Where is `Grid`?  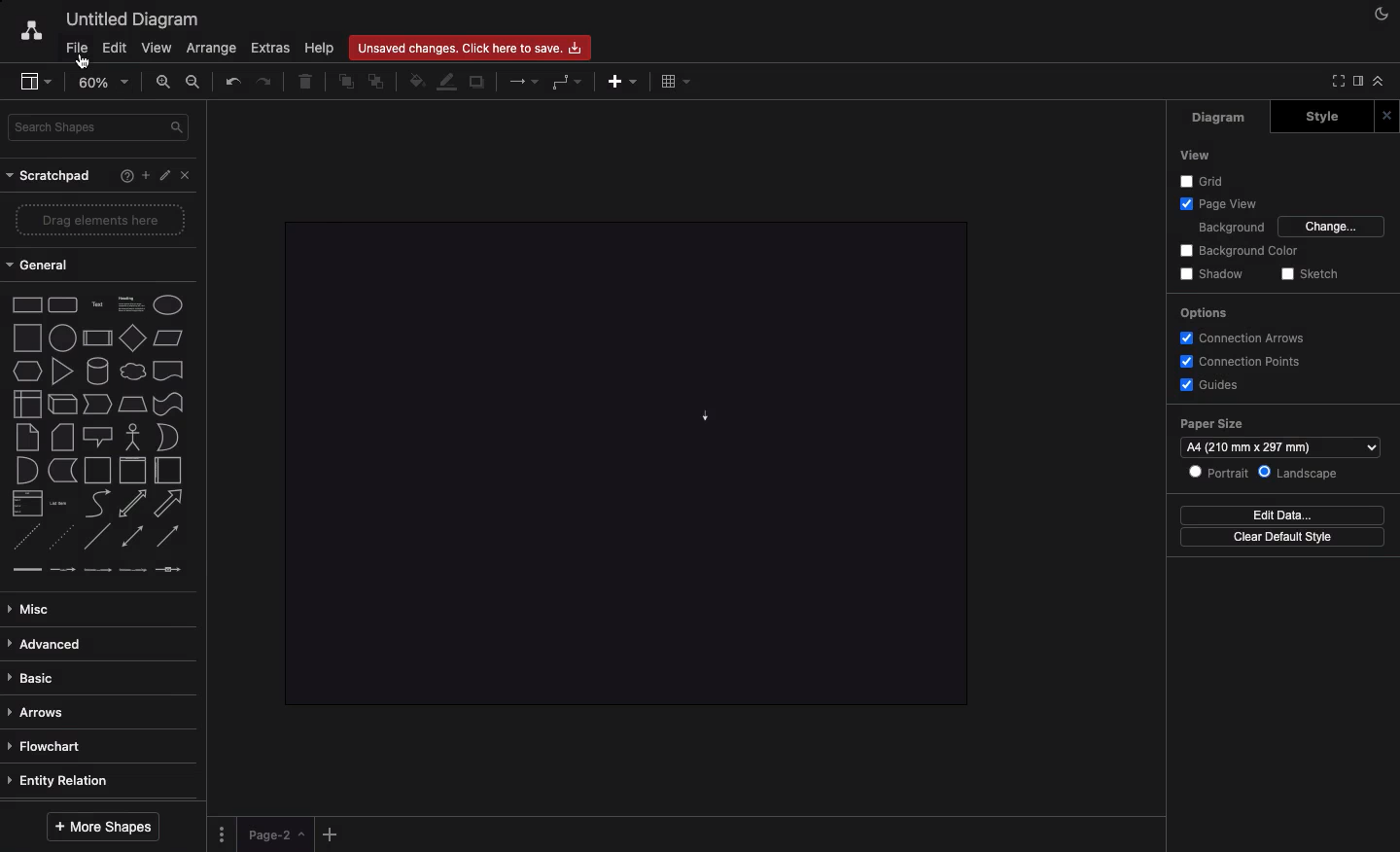 Grid is located at coordinates (1205, 180).